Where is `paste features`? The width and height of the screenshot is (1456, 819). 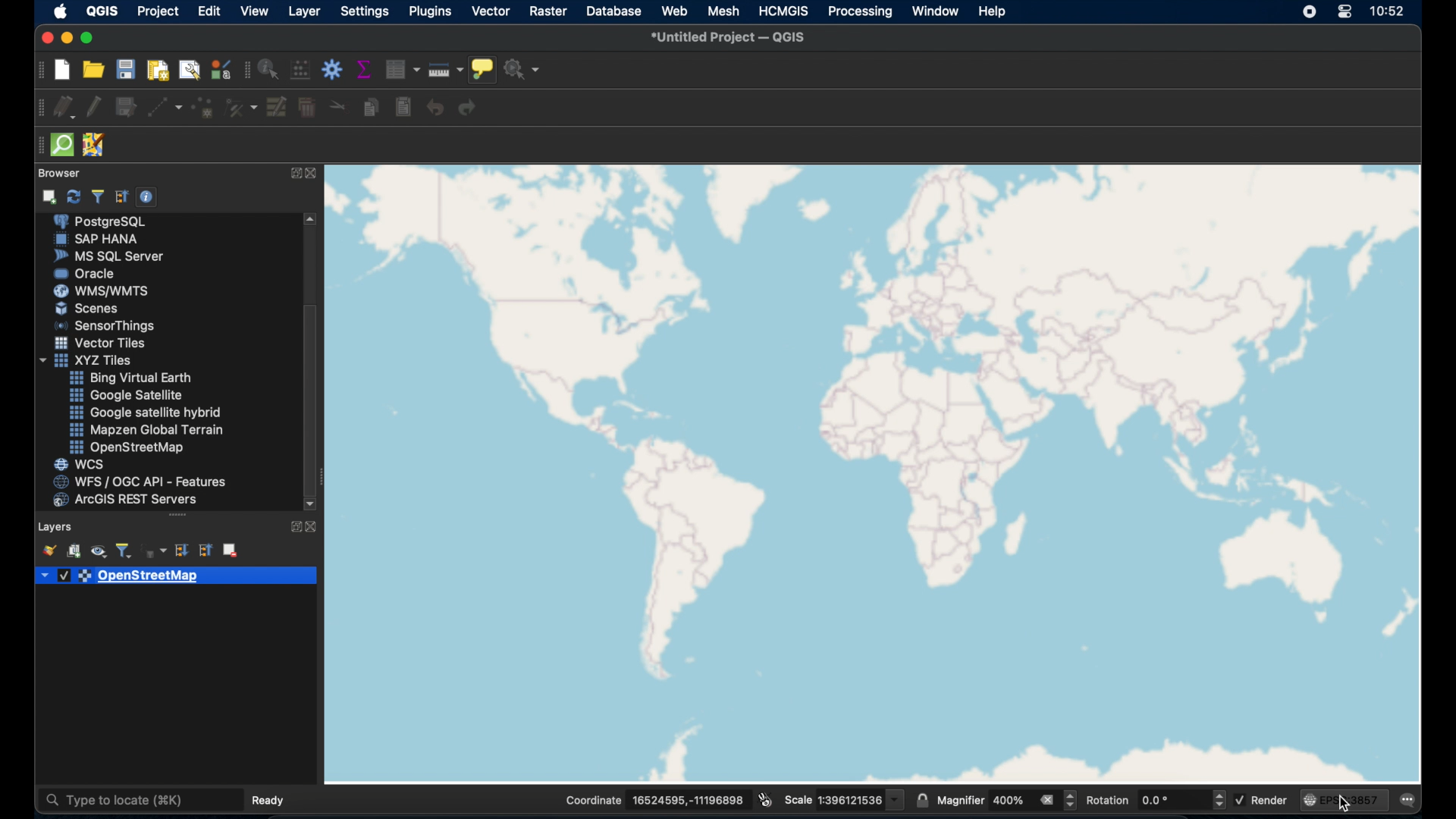 paste features is located at coordinates (402, 109).